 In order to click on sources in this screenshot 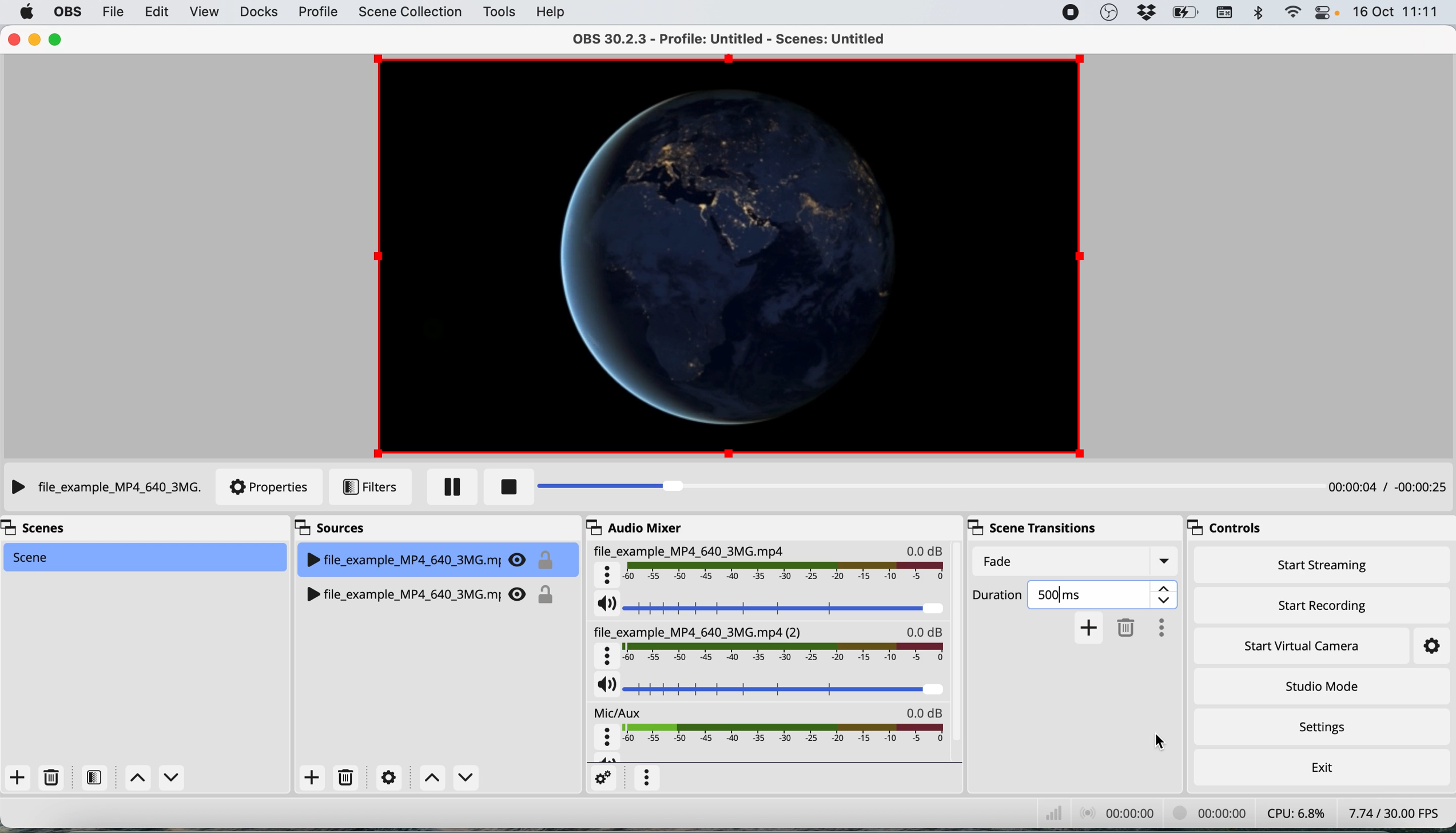, I will do `click(338, 526)`.